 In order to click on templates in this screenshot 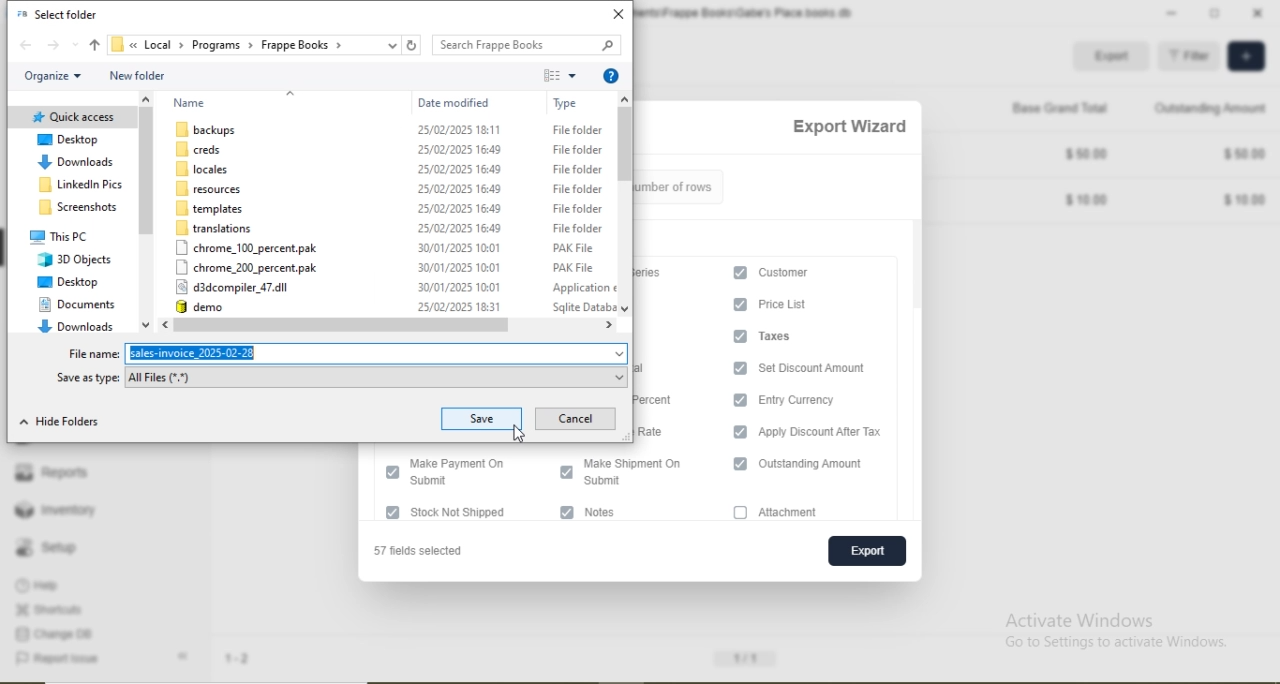, I will do `click(213, 209)`.